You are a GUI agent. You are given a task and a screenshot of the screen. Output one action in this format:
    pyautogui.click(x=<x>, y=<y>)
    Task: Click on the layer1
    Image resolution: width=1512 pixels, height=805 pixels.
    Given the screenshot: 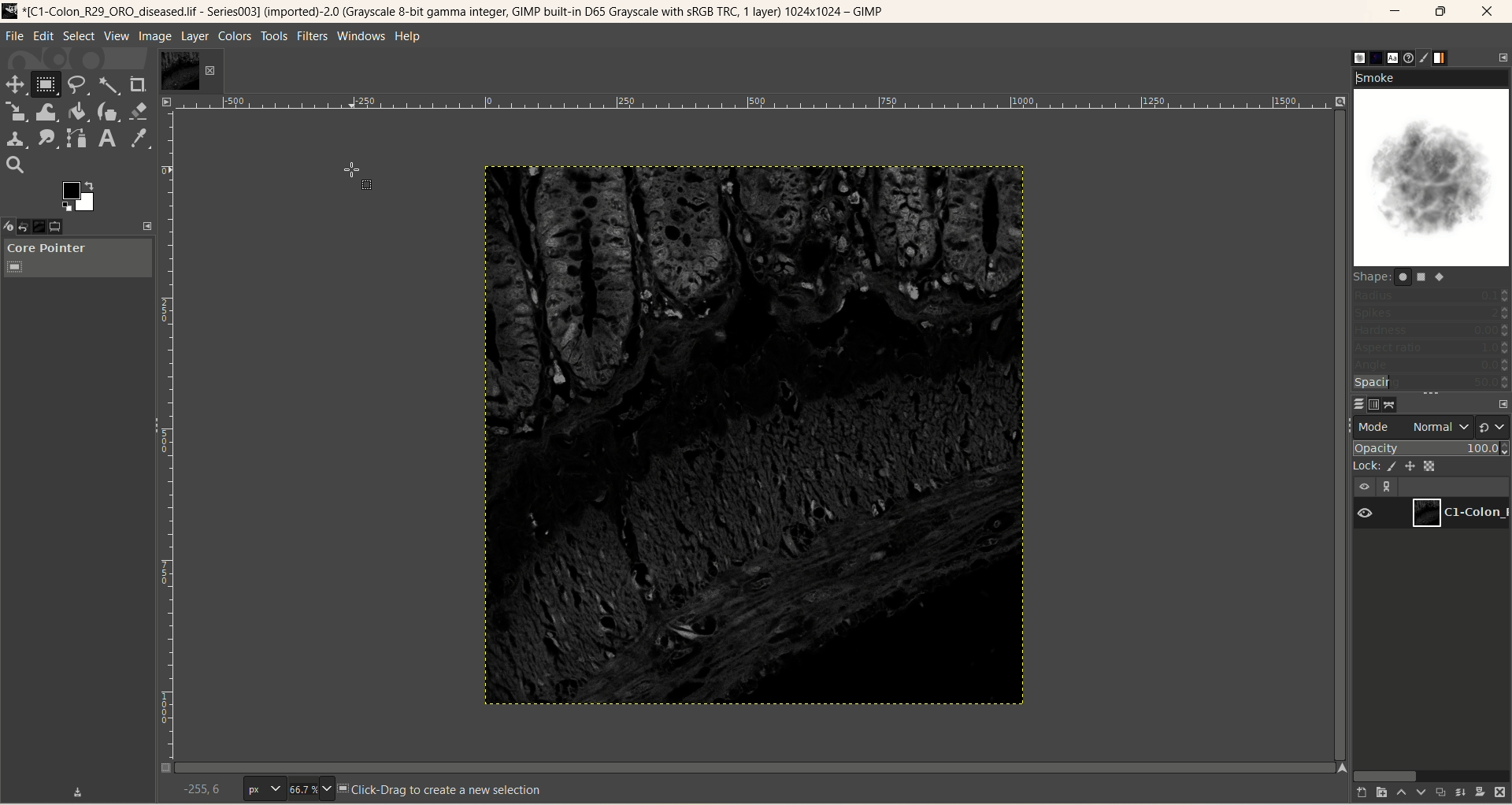 What is the action you would take?
    pyautogui.click(x=191, y=72)
    